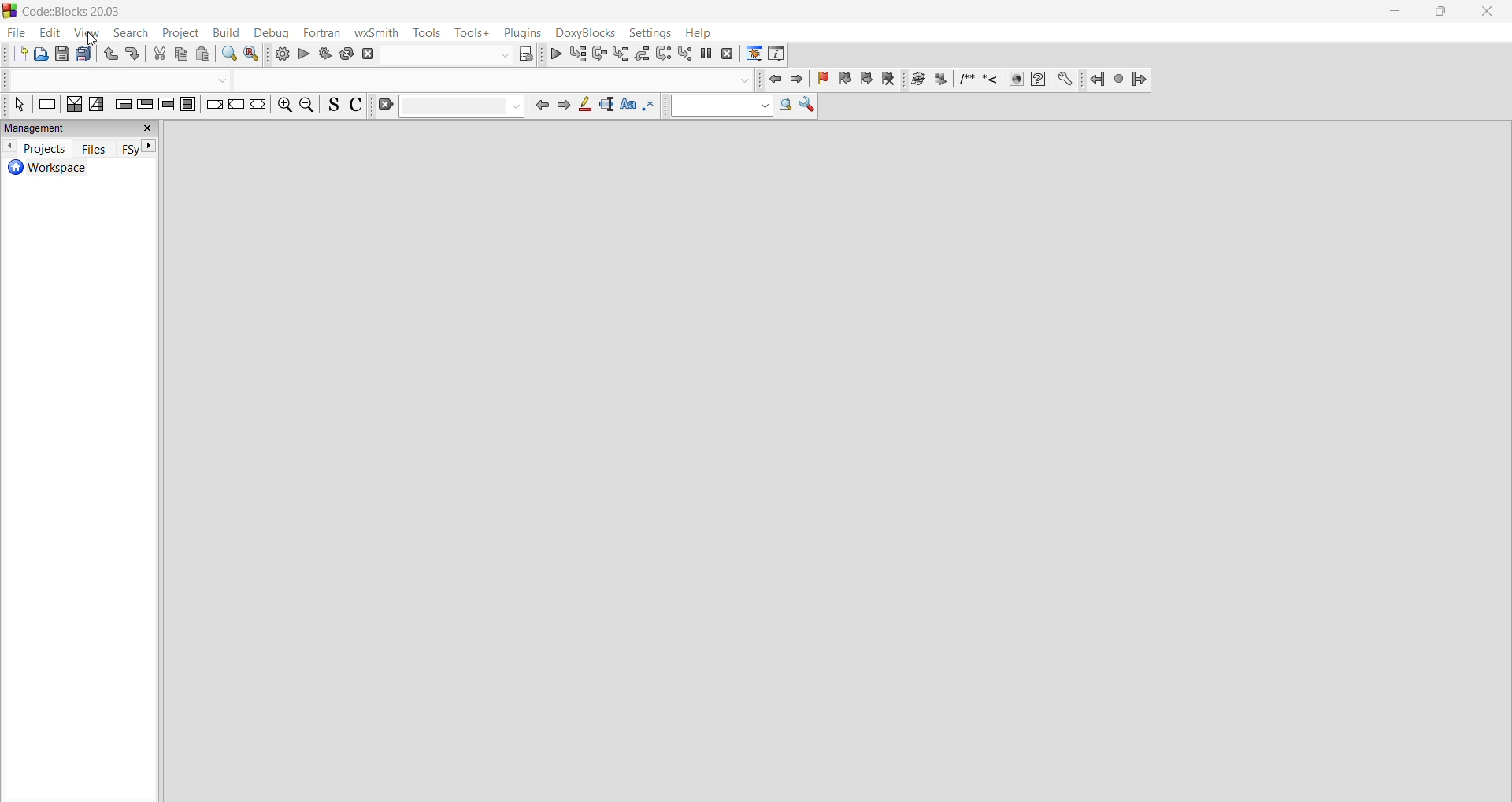 The width and height of the screenshot is (1512, 802). Describe the element at coordinates (1490, 11) in the screenshot. I see `close` at that location.